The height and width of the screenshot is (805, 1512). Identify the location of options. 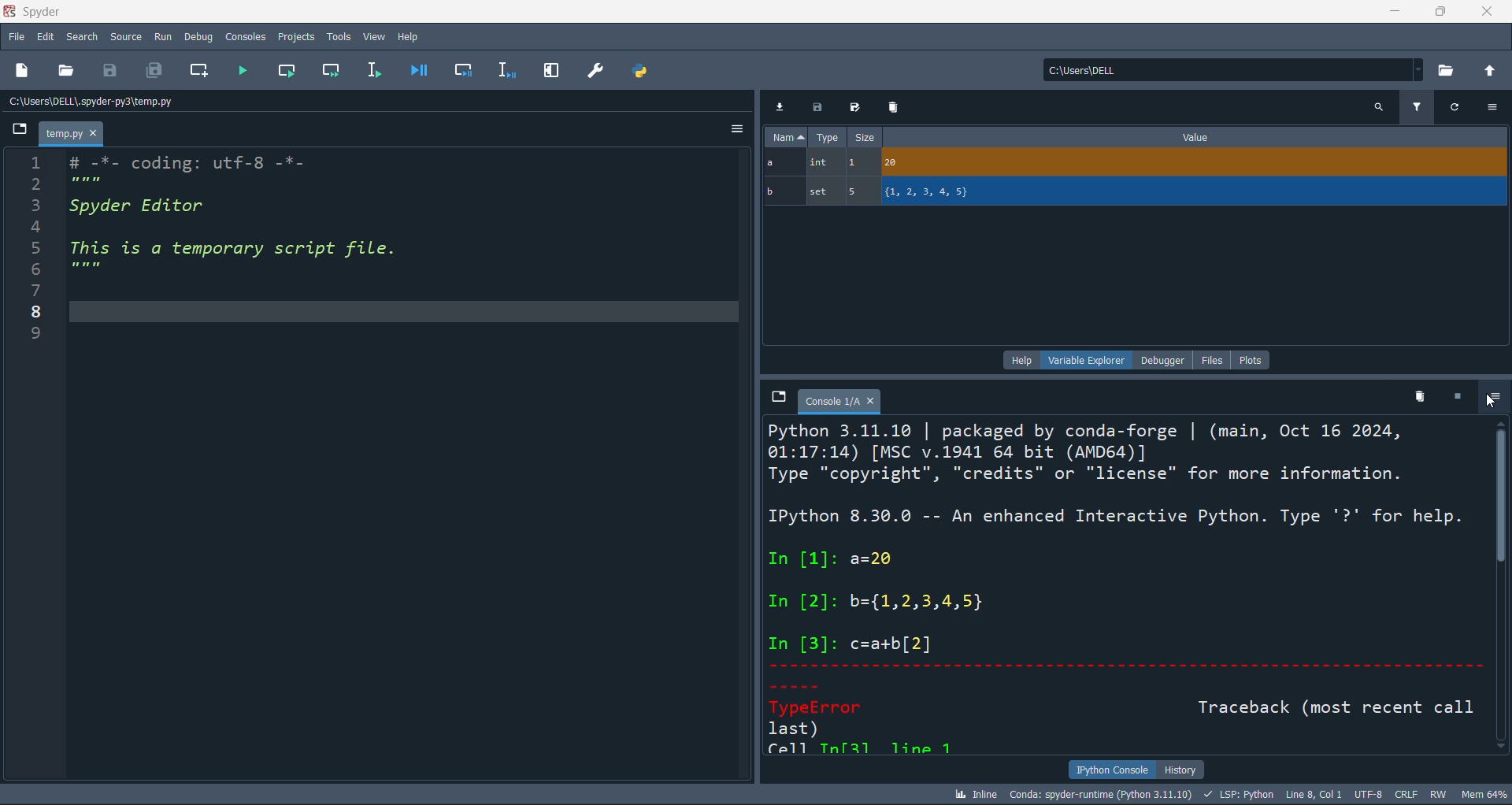
(1493, 107).